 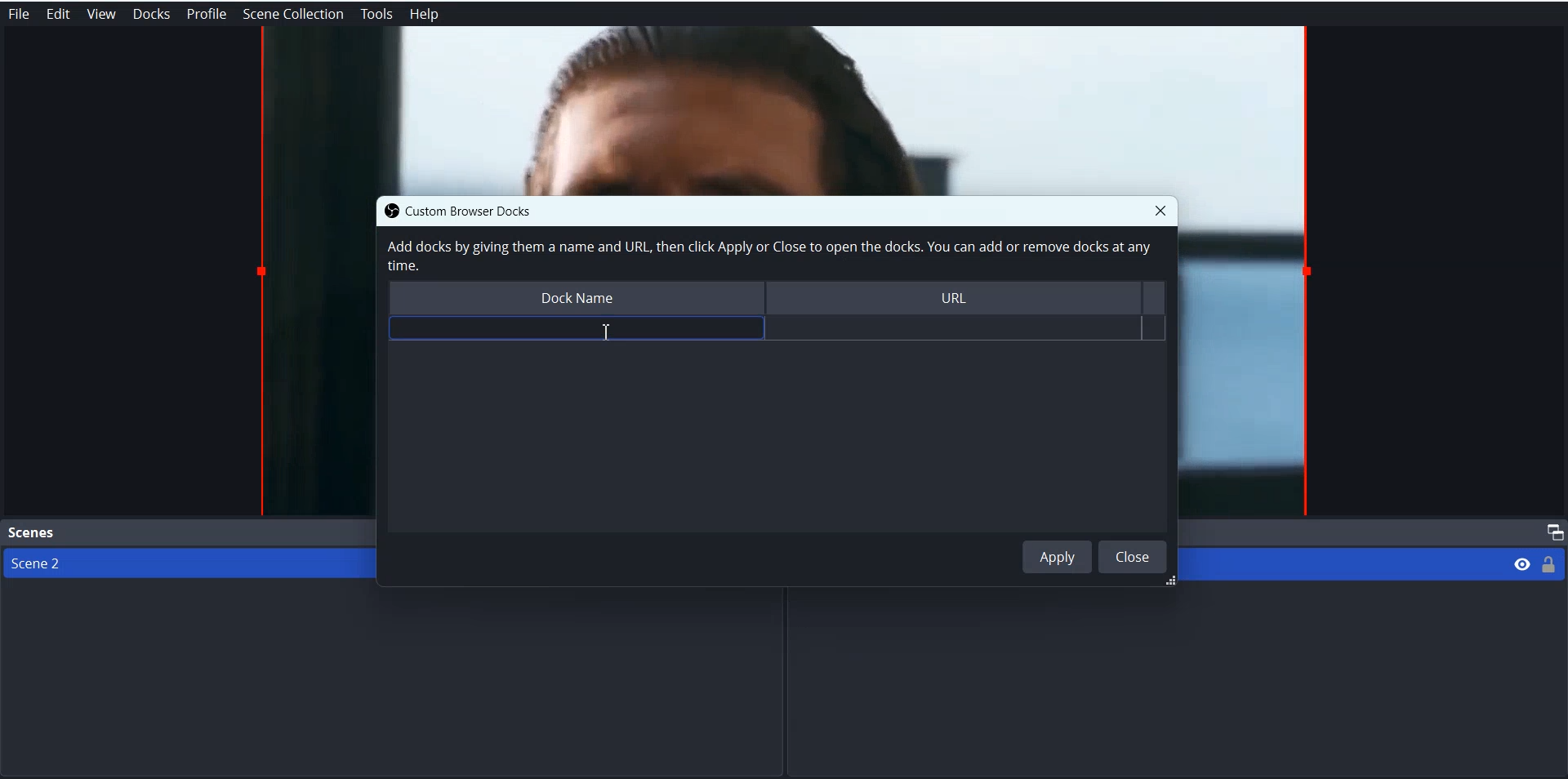 I want to click on Custom Browser Docks, so click(x=484, y=210).